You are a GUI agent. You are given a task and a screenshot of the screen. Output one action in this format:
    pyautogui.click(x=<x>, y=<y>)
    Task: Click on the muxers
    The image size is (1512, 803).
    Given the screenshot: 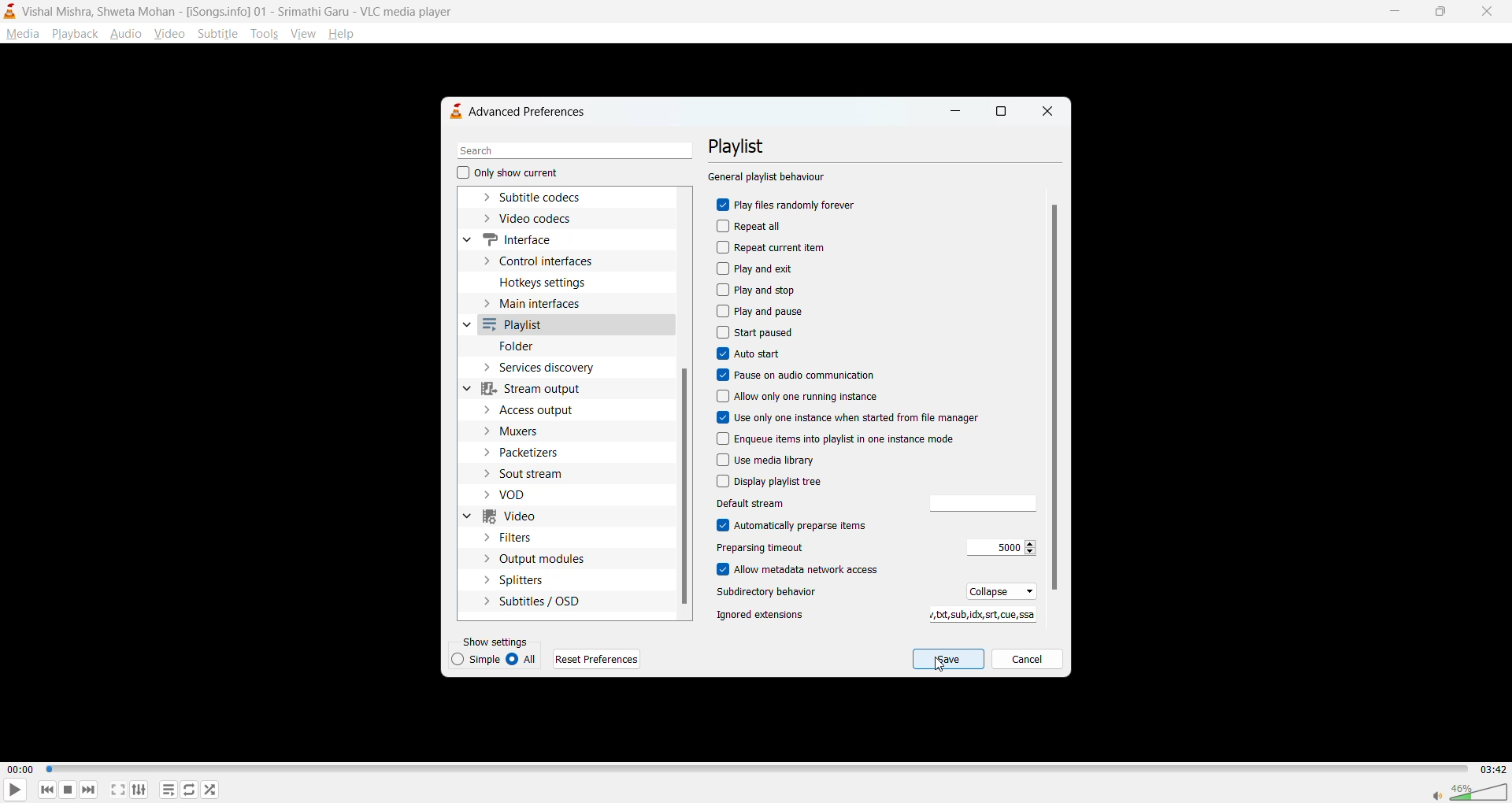 What is the action you would take?
    pyautogui.click(x=525, y=432)
    